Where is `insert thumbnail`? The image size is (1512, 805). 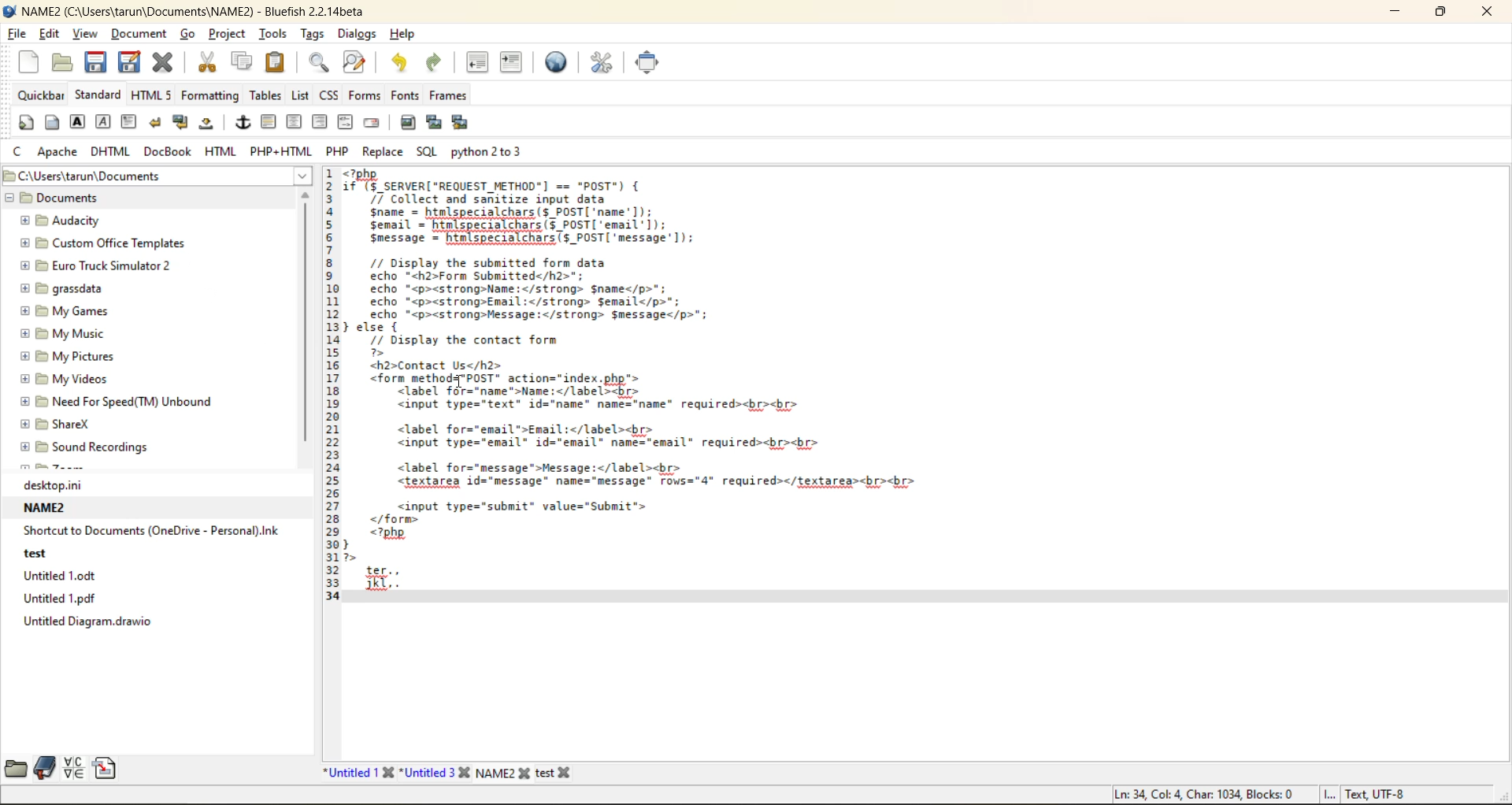
insert thumbnail is located at coordinates (433, 122).